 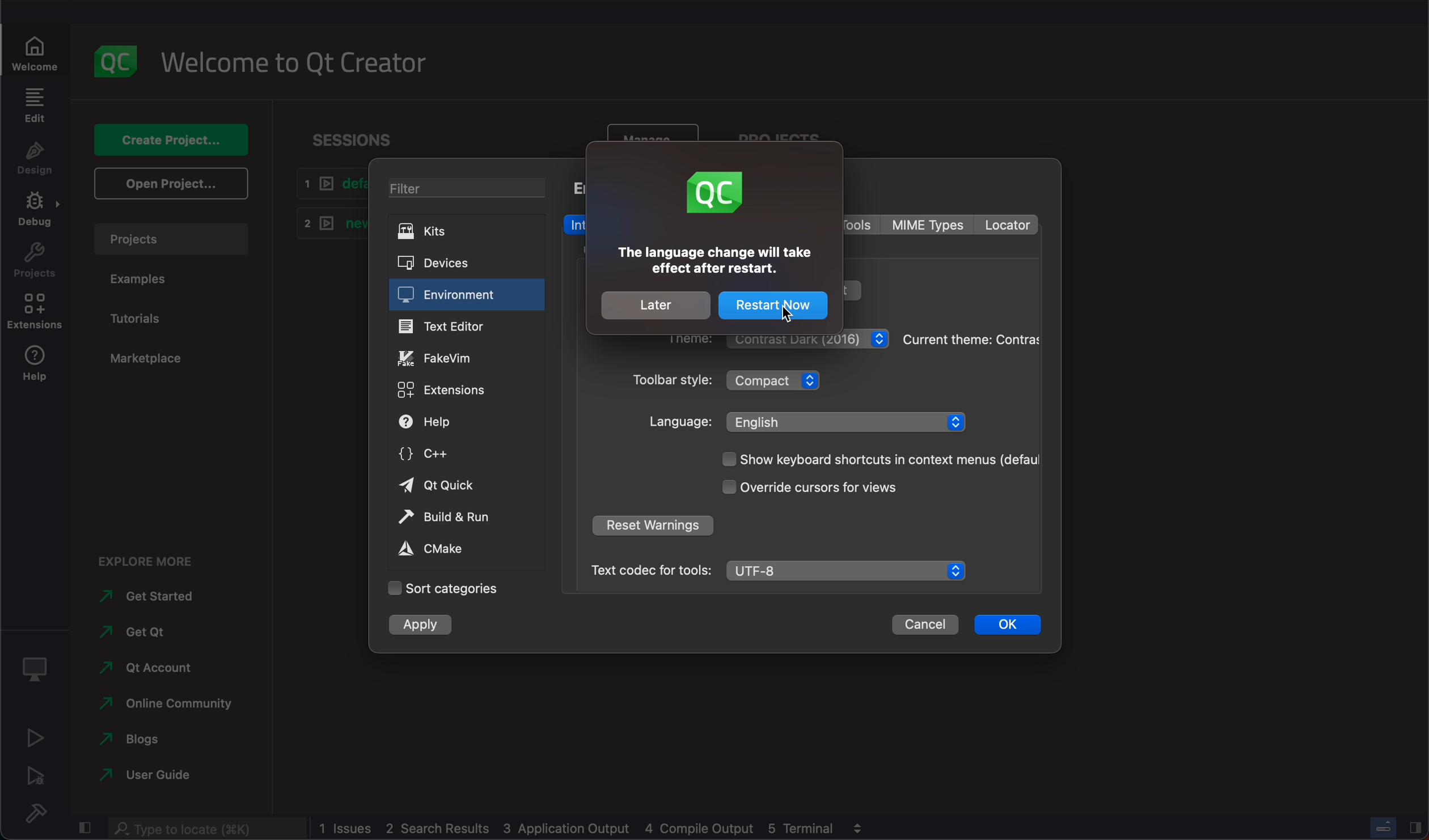 What do you see at coordinates (164, 141) in the screenshot?
I see `create` at bounding box center [164, 141].